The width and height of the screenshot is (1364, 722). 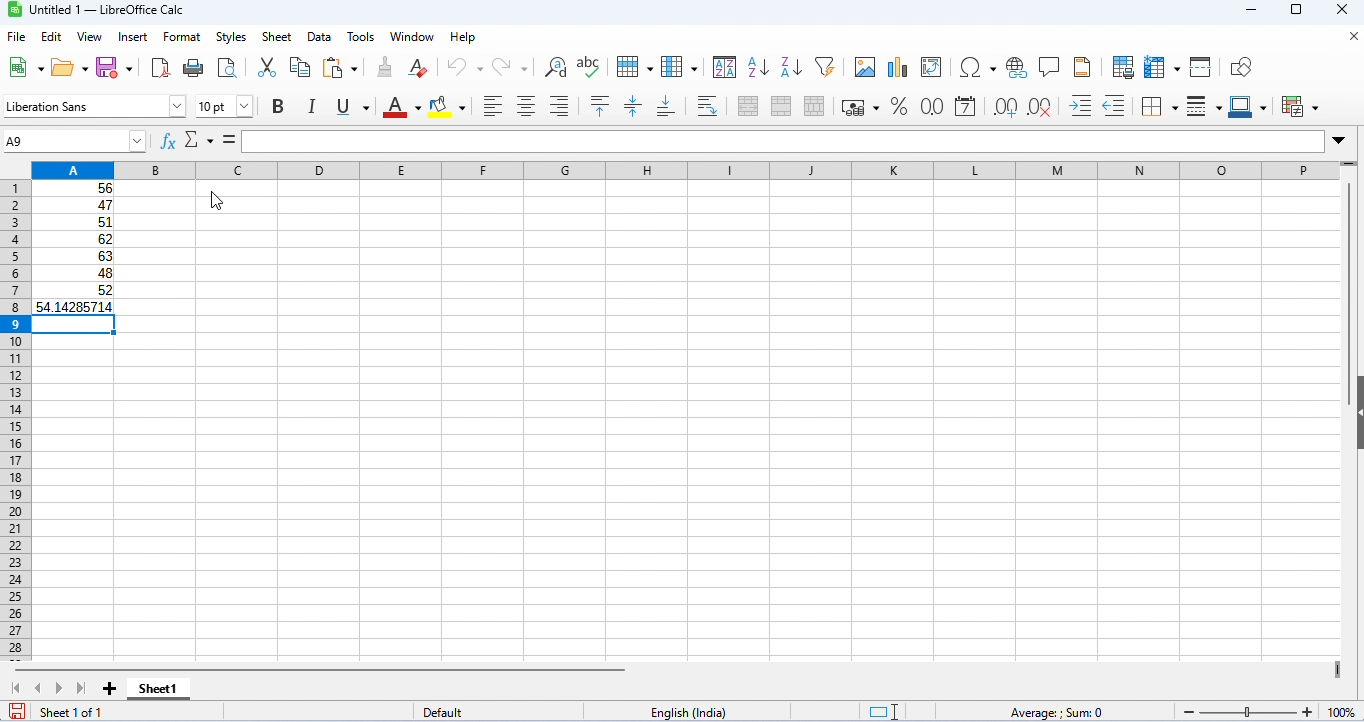 I want to click on default, so click(x=448, y=713).